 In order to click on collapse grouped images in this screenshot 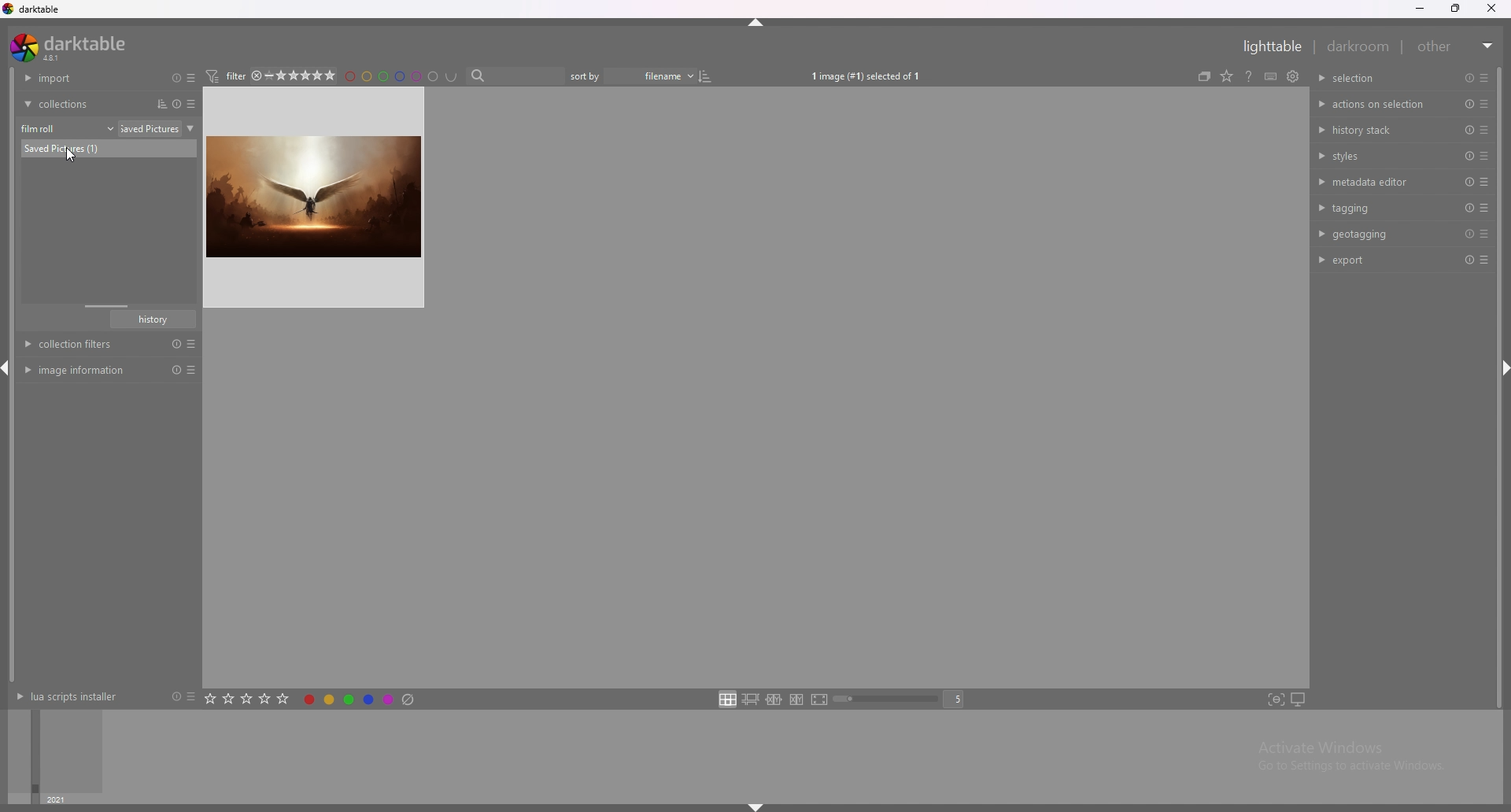, I will do `click(1222, 76)`.